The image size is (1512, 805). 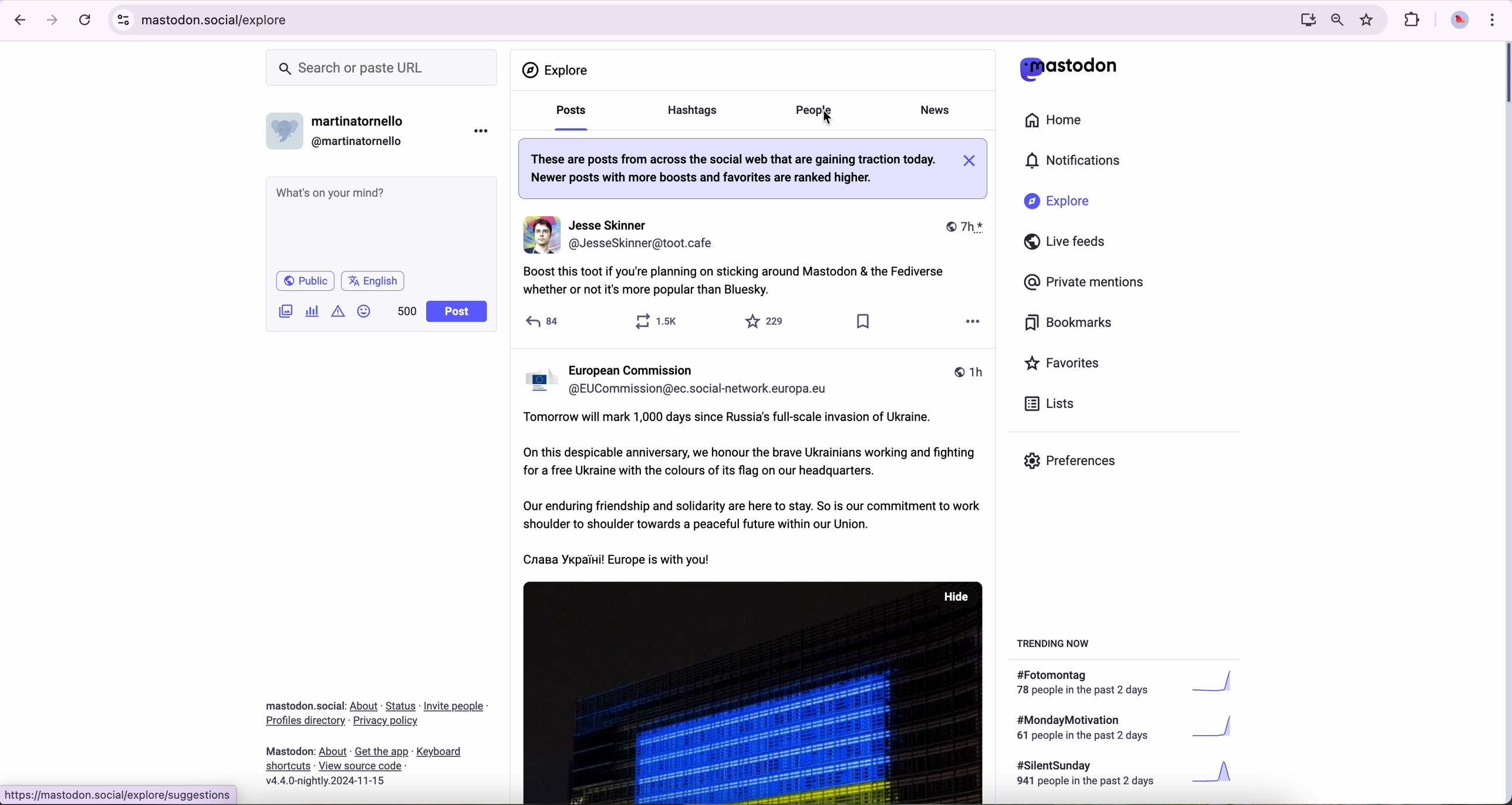 What do you see at coordinates (939, 109) in the screenshot?
I see `news` at bounding box center [939, 109].